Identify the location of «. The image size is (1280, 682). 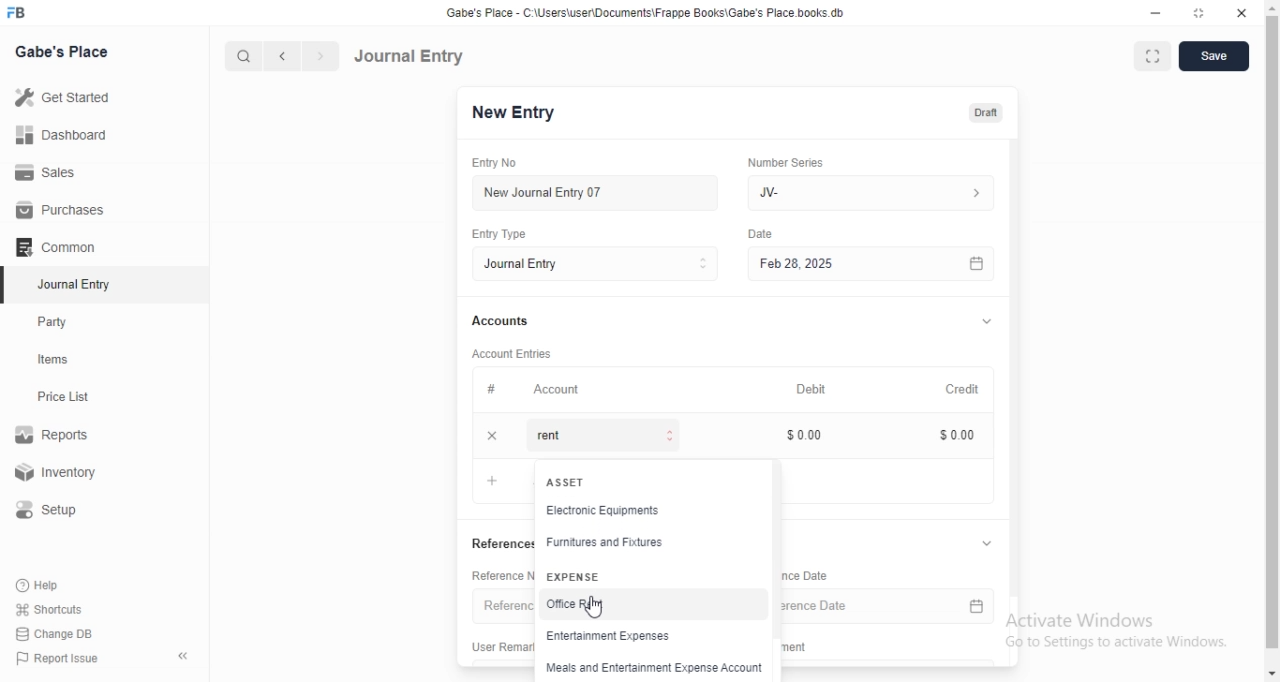
(185, 657).